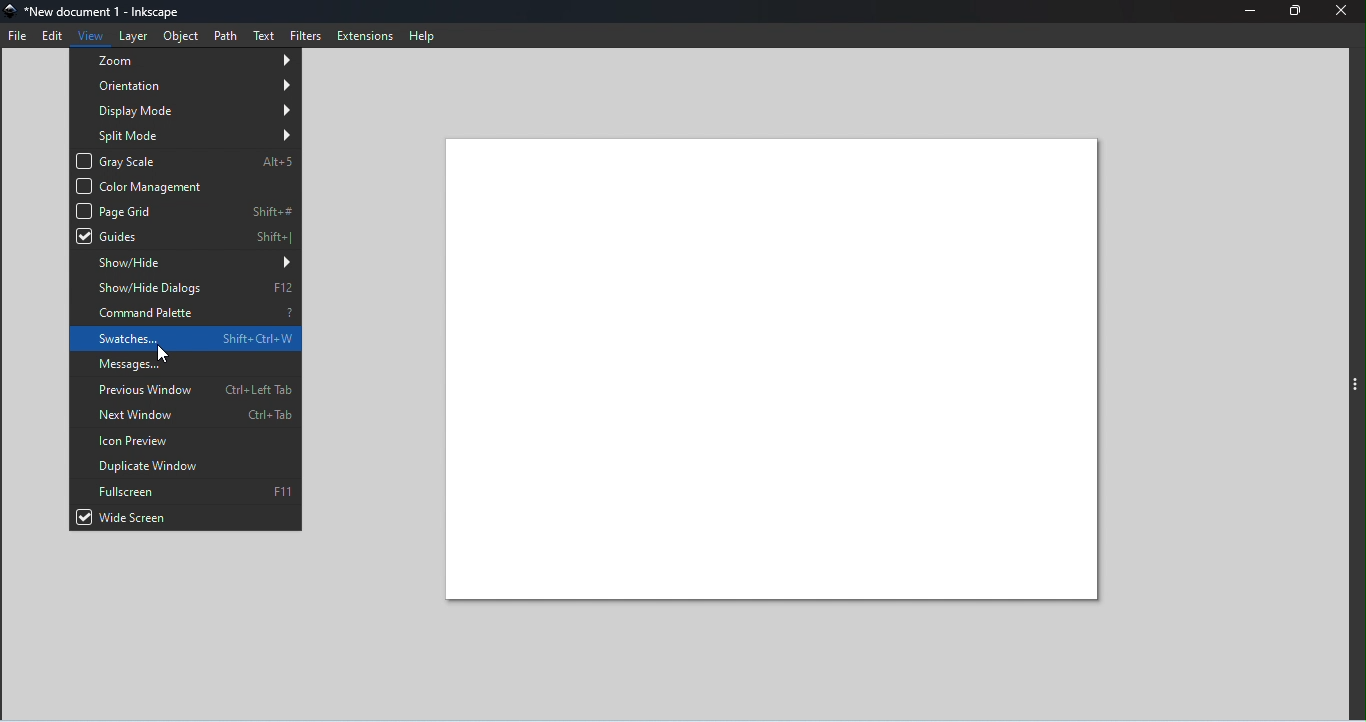 The image size is (1366, 722). What do you see at coordinates (265, 35) in the screenshot?
I see `Text` at bounding box center [265, 35].